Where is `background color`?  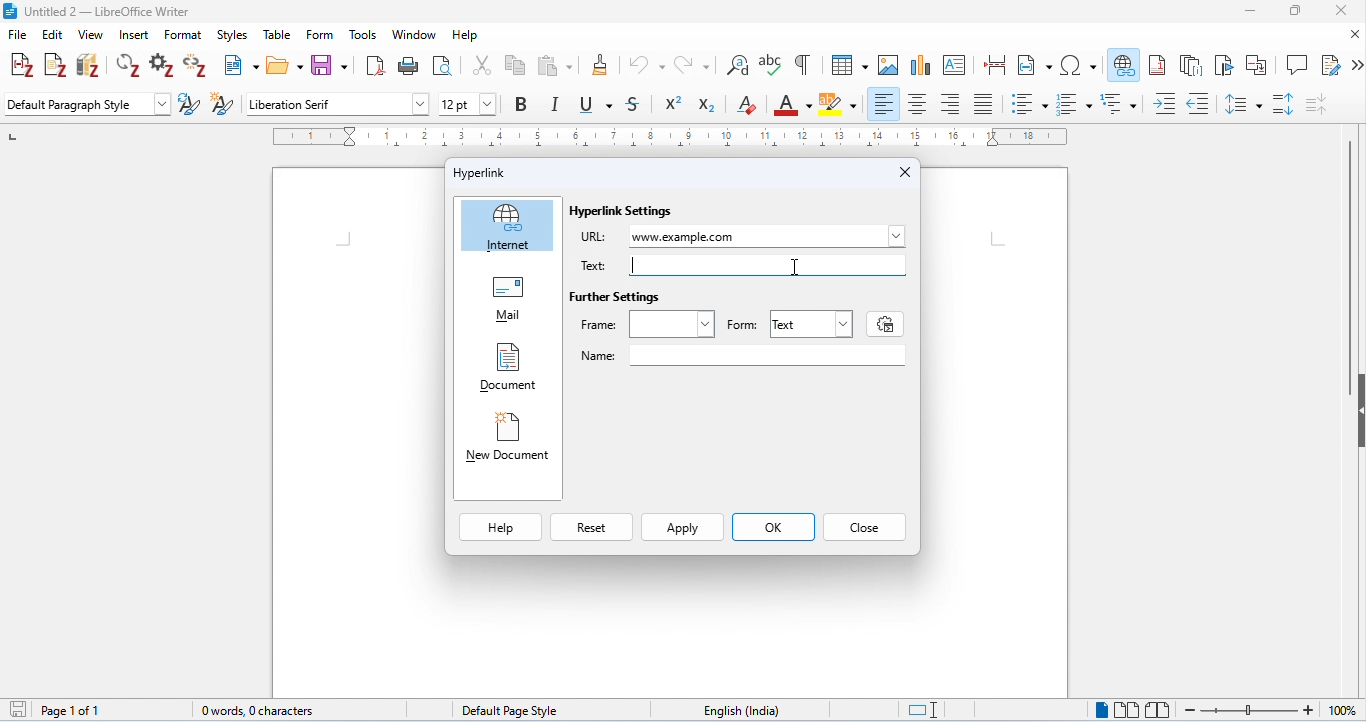 background color is located at coordinates (840, 105).